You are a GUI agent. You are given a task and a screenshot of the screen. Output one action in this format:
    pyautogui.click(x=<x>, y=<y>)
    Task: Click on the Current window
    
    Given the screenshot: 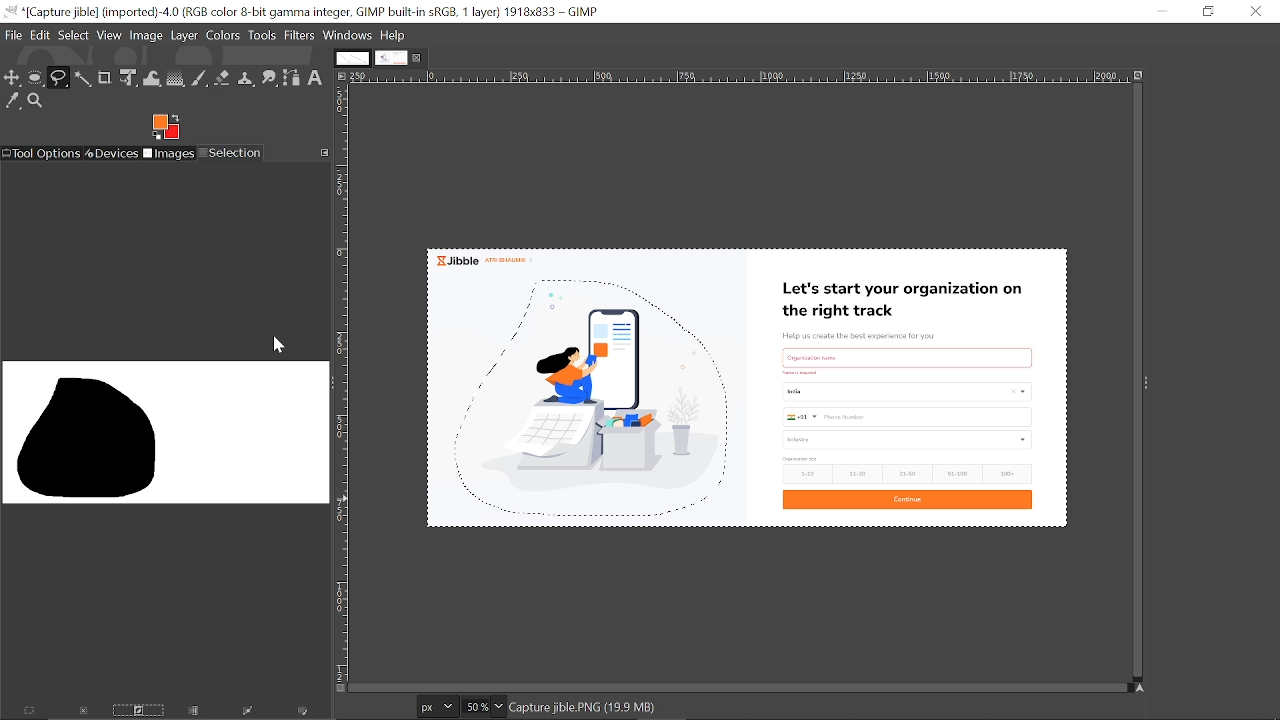 What is the action you would take?
    pyautogui.click(x=303, y=12)
    